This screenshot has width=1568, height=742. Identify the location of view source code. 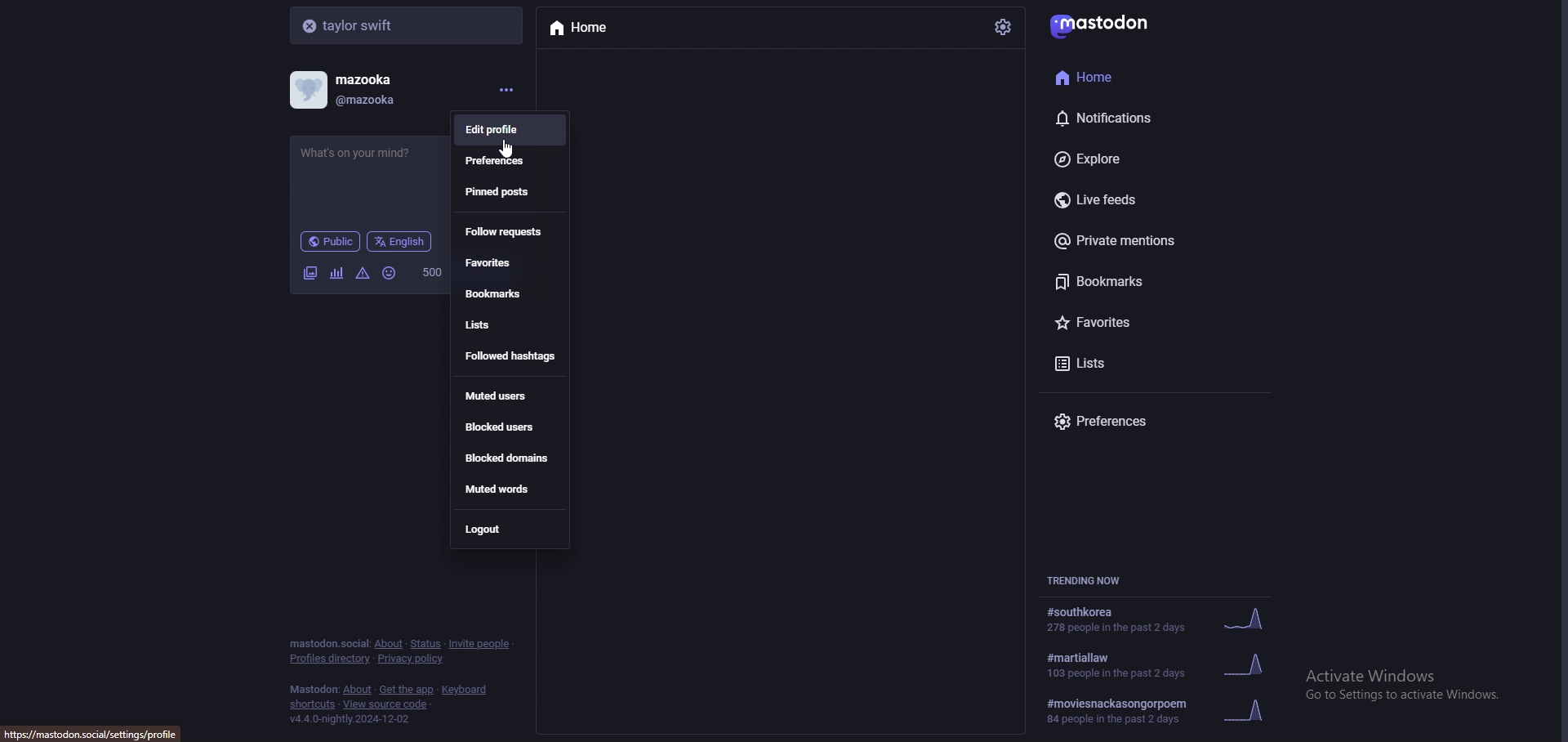
(386, 704).